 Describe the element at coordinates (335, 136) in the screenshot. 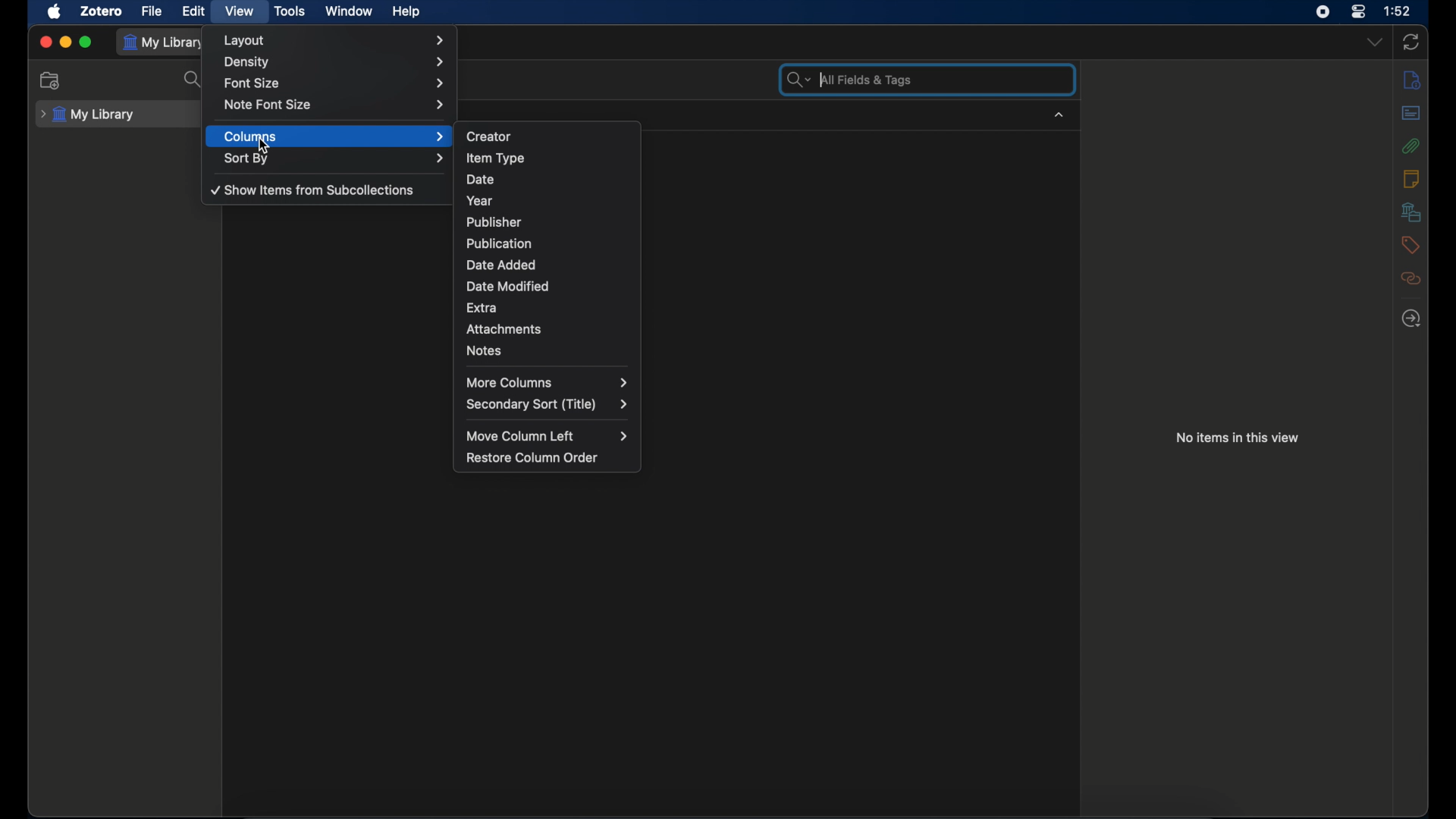

I see `columns` at that location.